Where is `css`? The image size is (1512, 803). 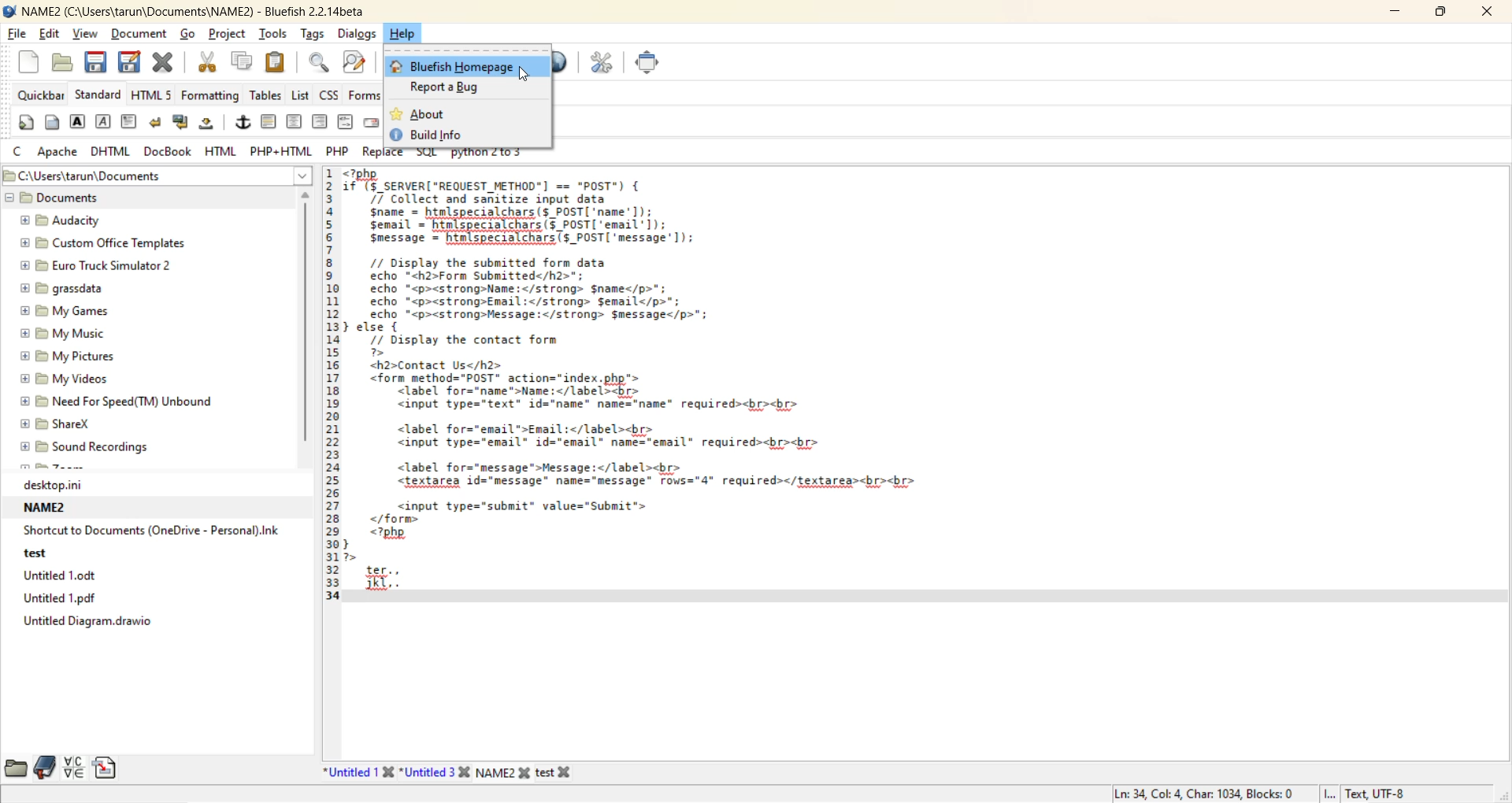
css is located at coordinates (327, 94).